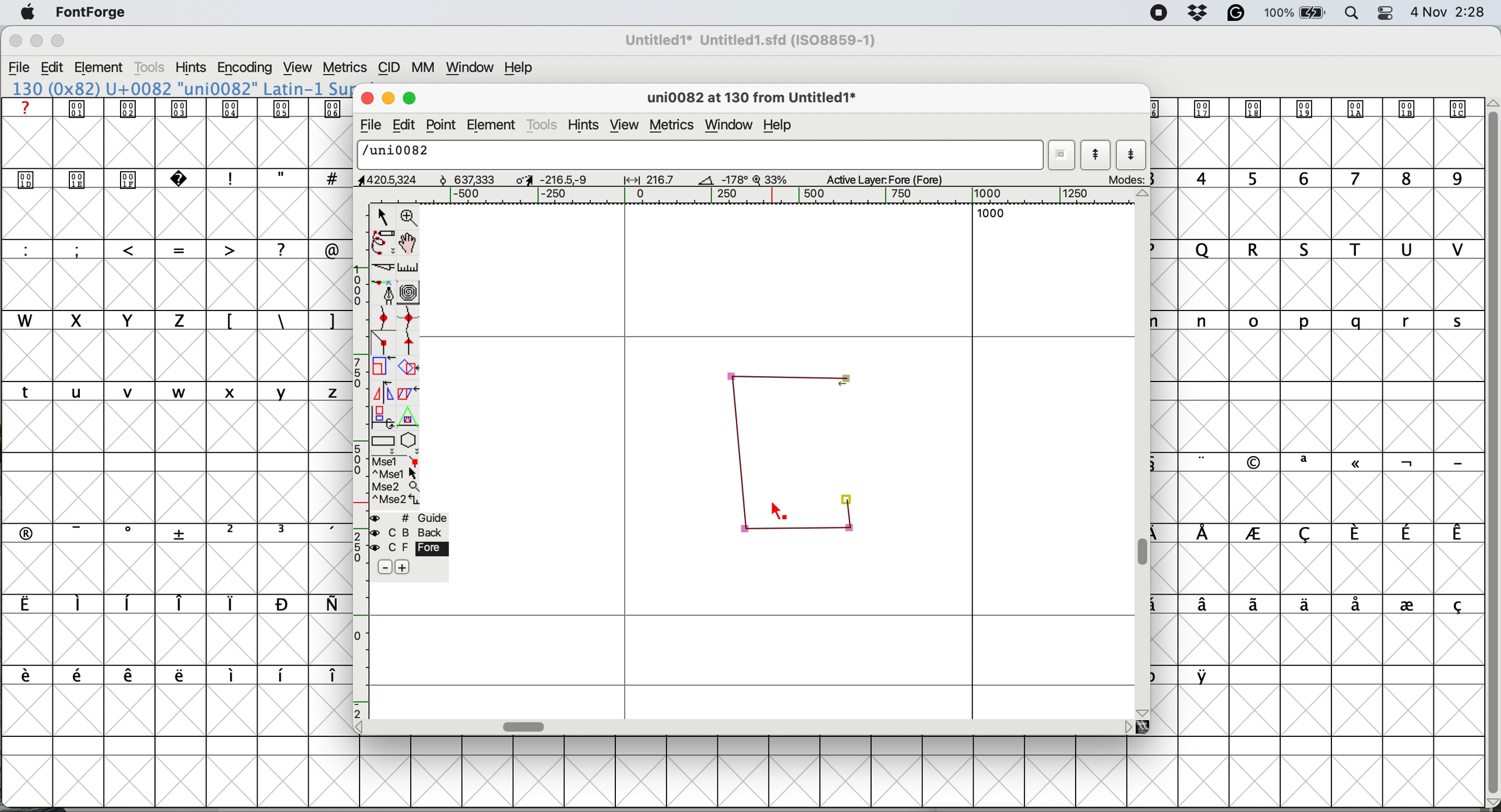 The image size is (1501, 812). What do you see at coordinates (1160, 13) in the screenshot?
I see `screen recorder` at bounding box center [1160, 13].